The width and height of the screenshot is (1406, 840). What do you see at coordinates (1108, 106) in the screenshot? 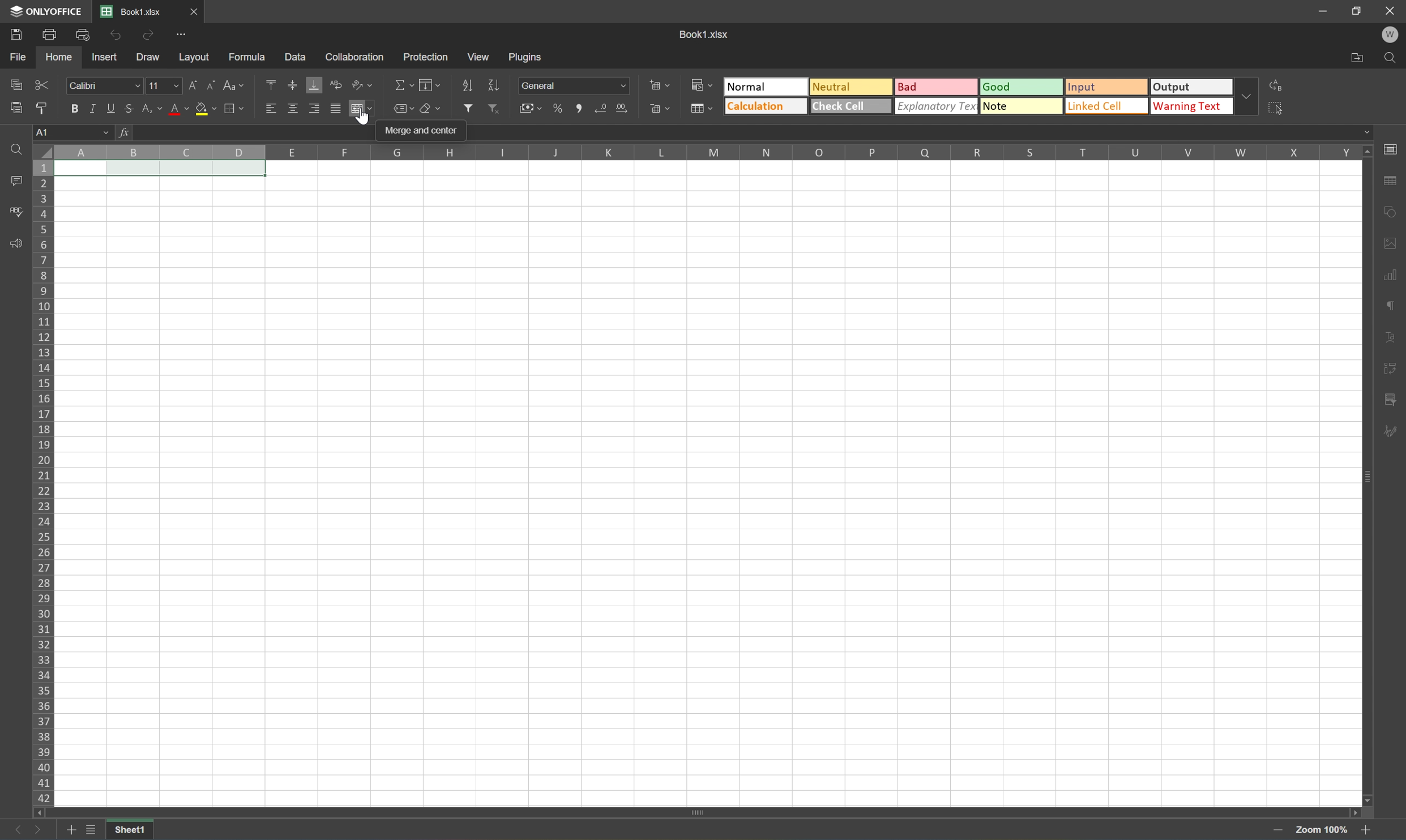
I see `Linked cell` at bounding box center [1108, 106].